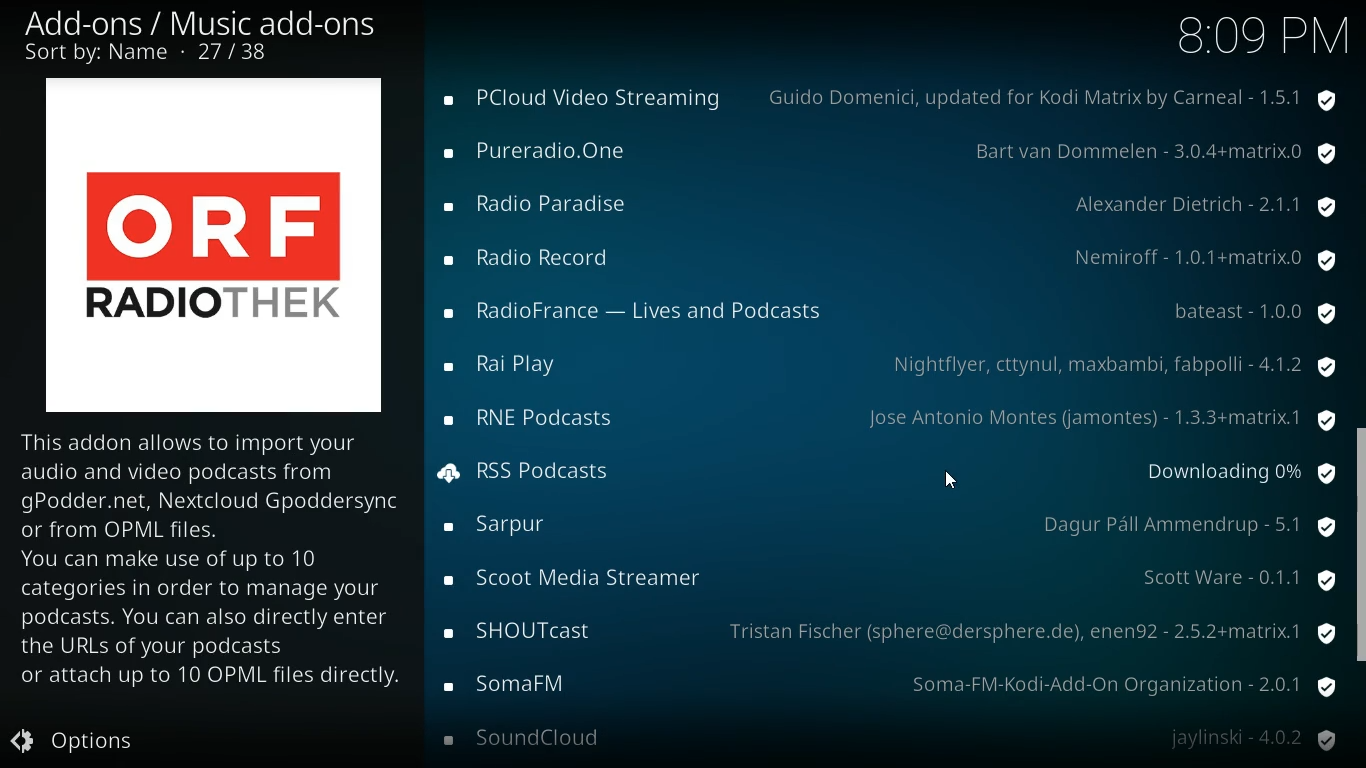 The image size is (1366, 768). What do you see at coordinates (1112, 364) in the screenshot?
I see `provider` at bounding box center [1112, 364].